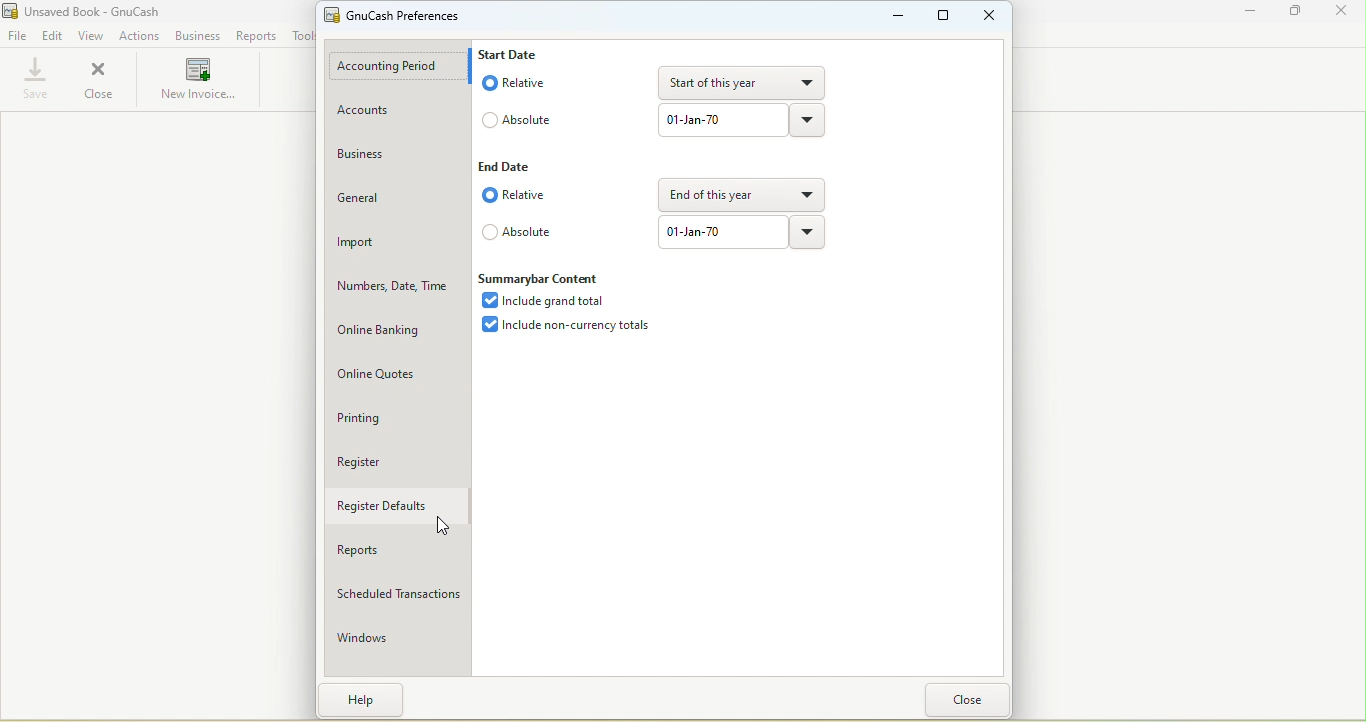 This screenshot has height=722, width=1366. What do you see at coordinates (575, 328) in the screenshot?
I see `Include non-currency totals` at bounding box center [575, 328].